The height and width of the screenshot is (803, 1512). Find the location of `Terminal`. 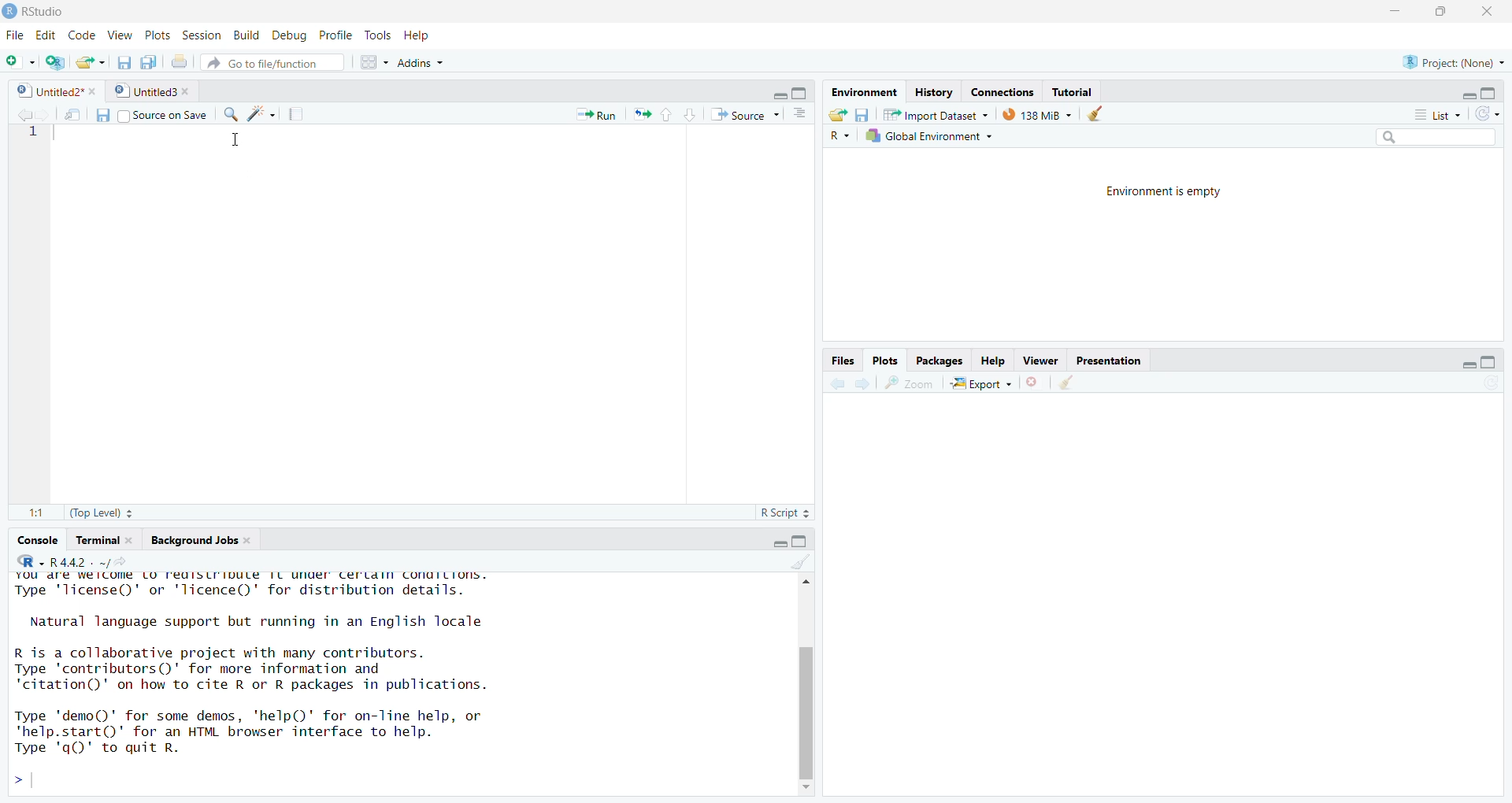

Terminal is located at coordinates (102, 542).